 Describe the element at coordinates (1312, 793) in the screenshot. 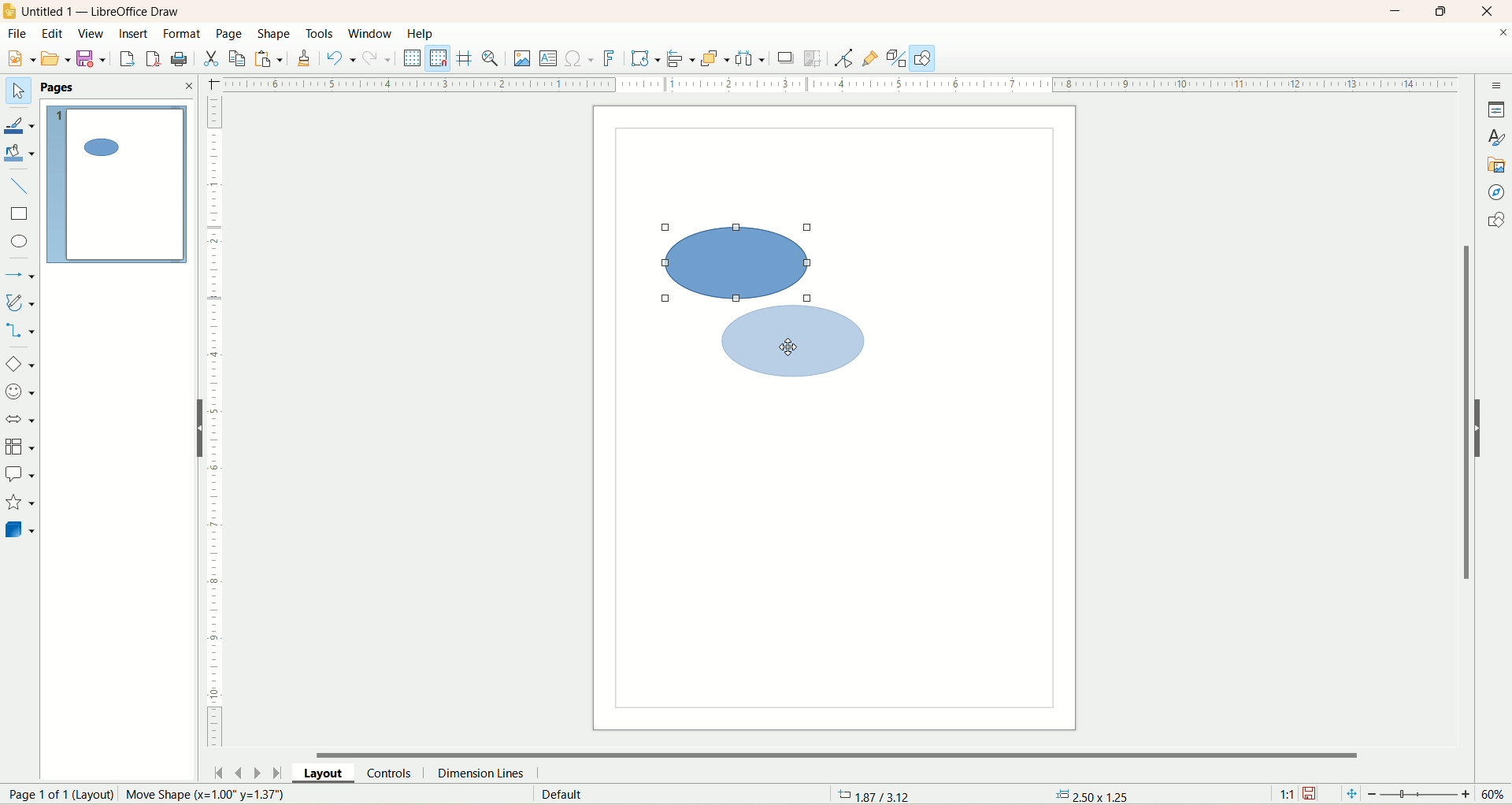

I see `save` at that location.